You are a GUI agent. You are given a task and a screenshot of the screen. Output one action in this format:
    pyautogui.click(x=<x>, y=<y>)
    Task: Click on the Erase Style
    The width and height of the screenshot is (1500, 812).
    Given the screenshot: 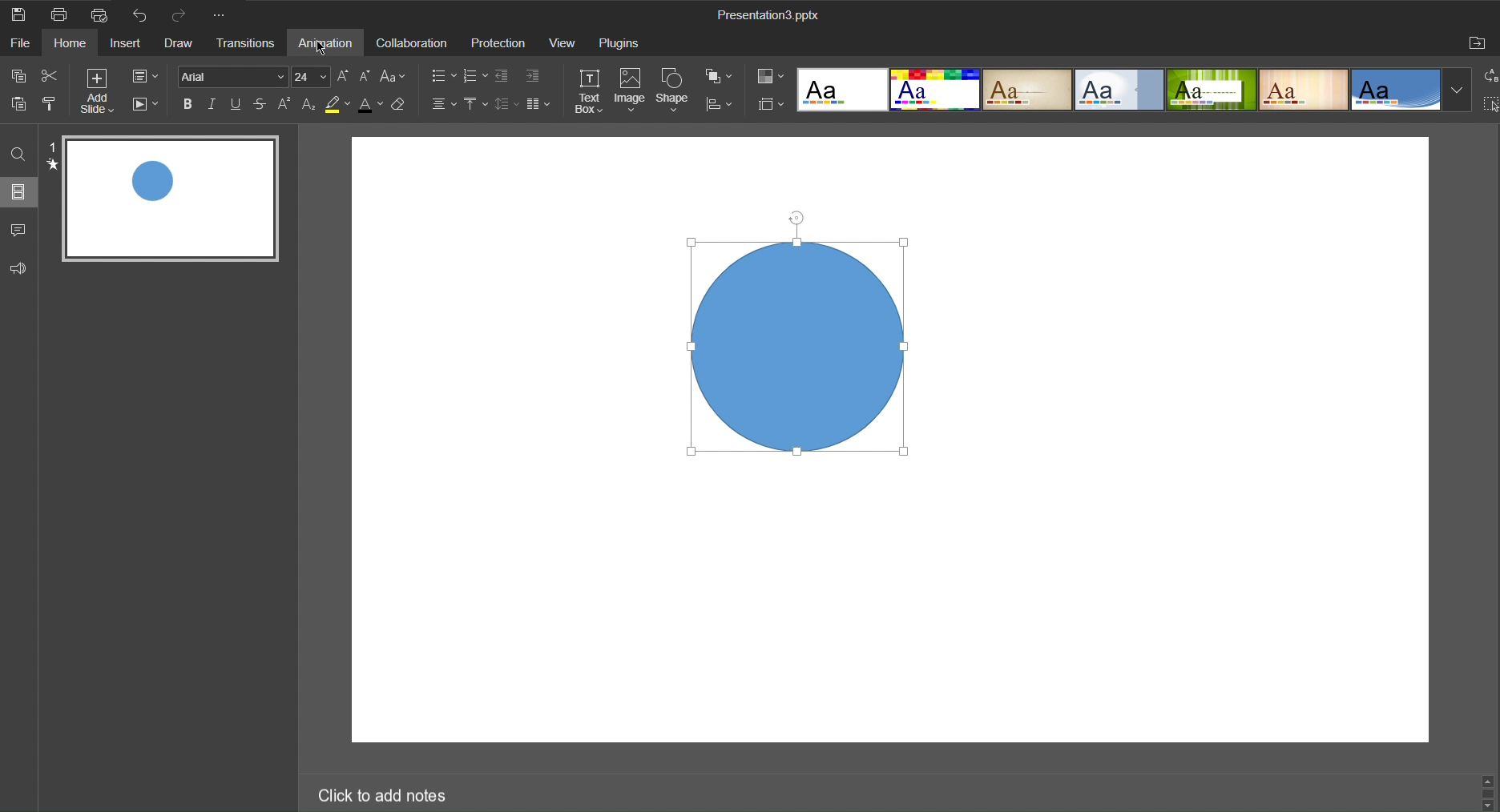 What is the action you would take?
    pyautogui.click(x=402, y=107)
    